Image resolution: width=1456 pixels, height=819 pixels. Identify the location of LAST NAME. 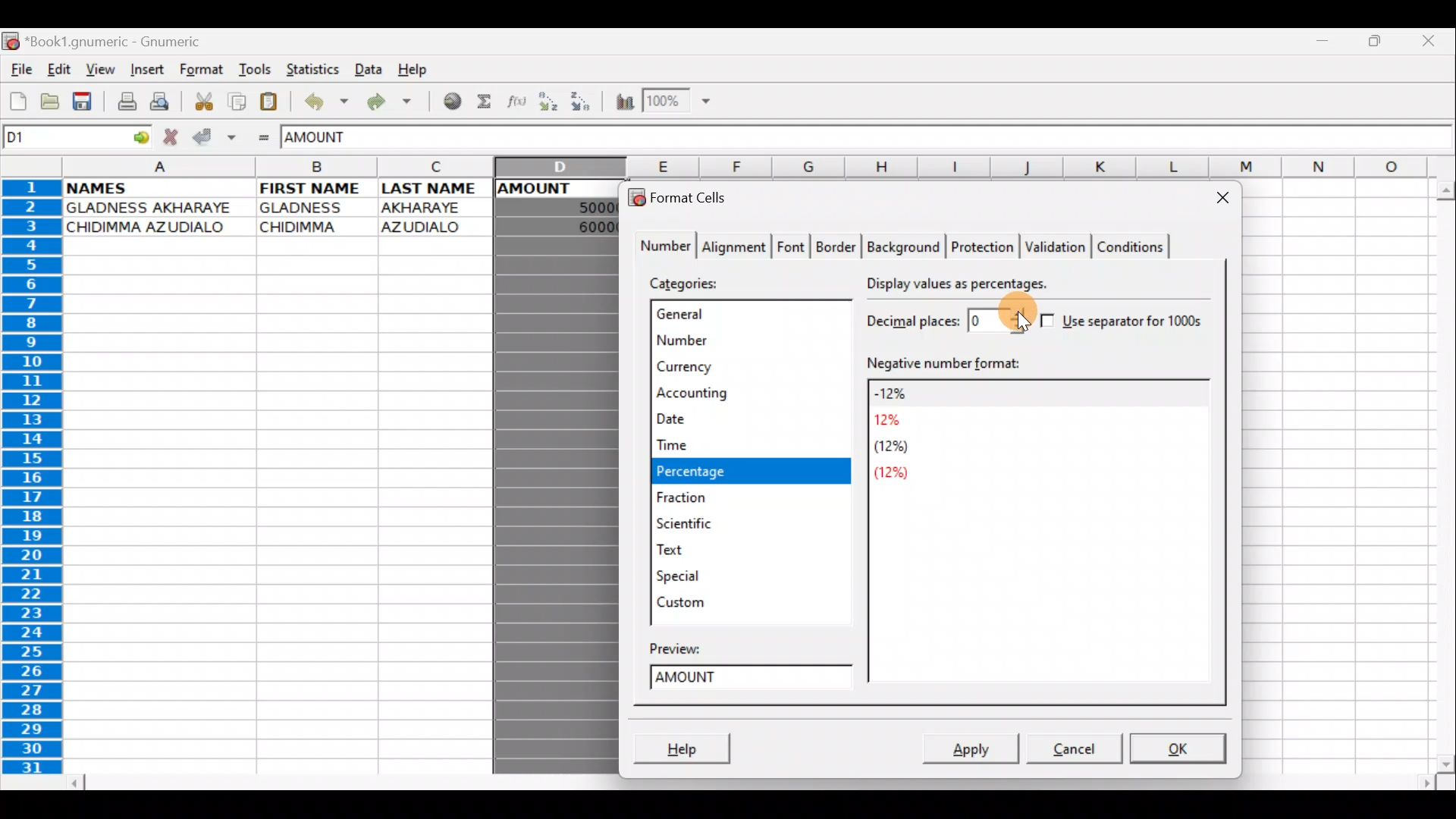
(436, 190).